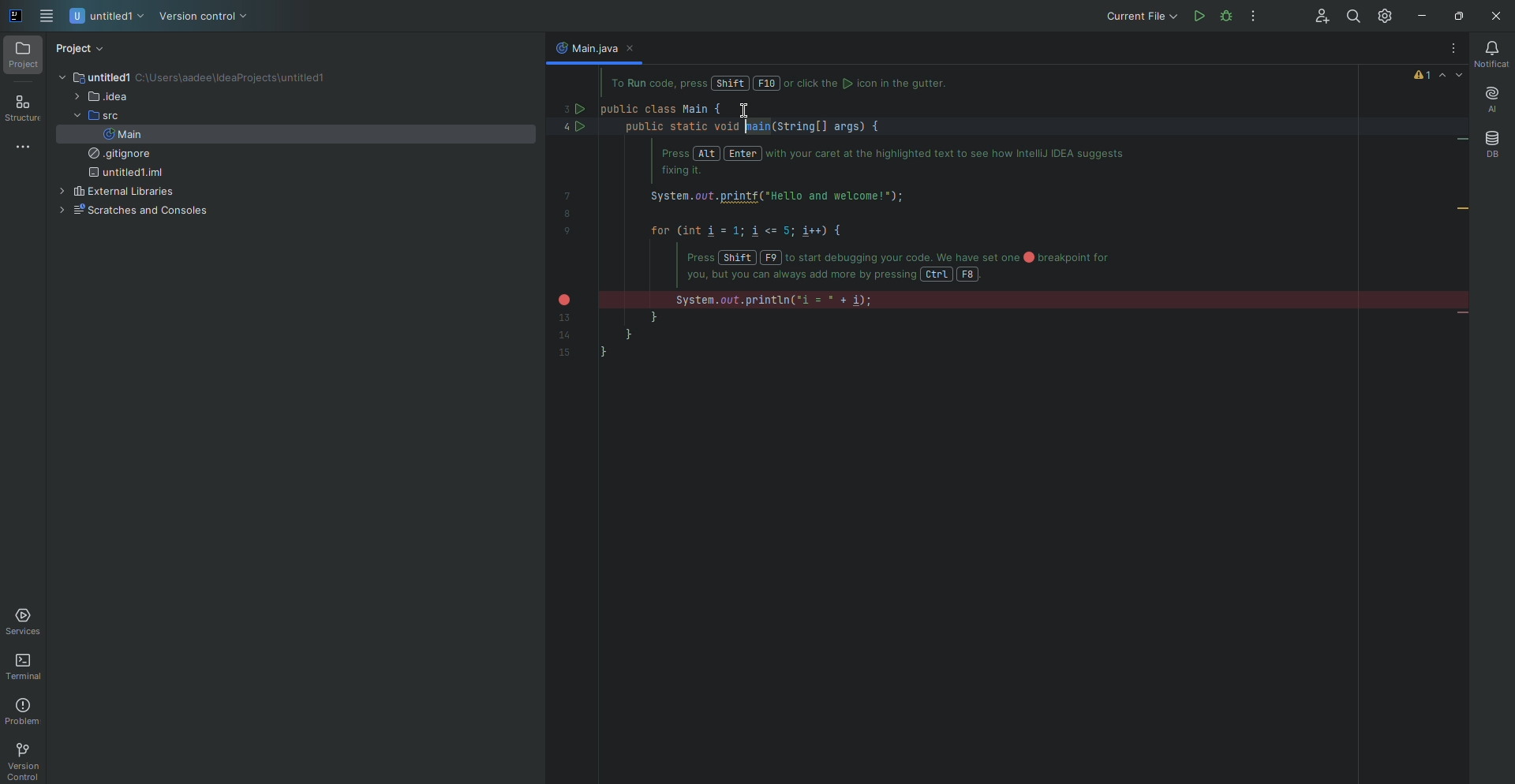 Image resolution: width=1515 pixels, height=784 pixels. What do you see at coordinates (571, 227) in the screenshot?
I see `line number and icons` at bounding box center [571, 227].